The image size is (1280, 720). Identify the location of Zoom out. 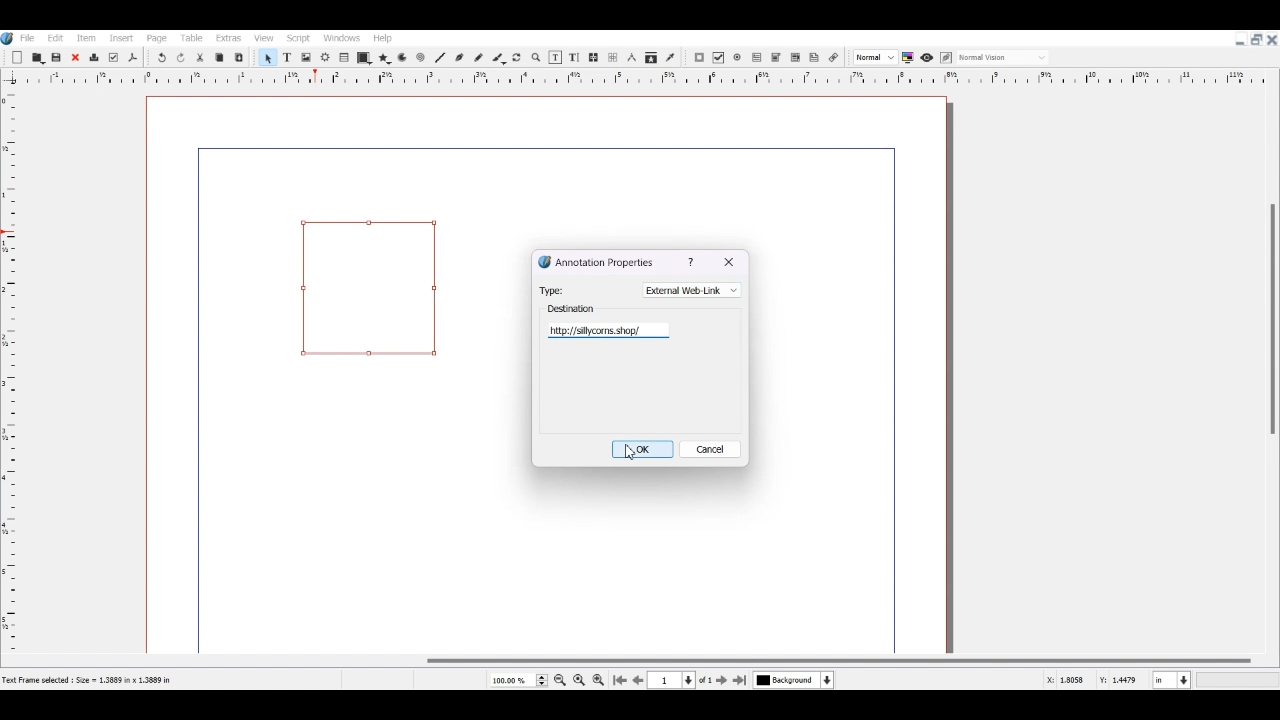
(561, 680).